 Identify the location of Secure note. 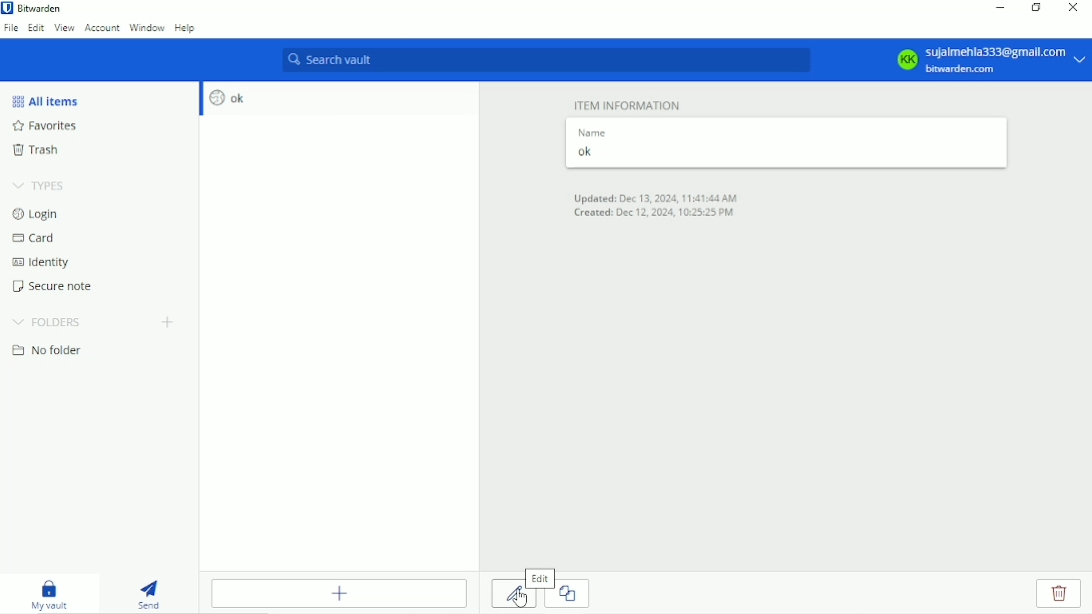
(55, 286).